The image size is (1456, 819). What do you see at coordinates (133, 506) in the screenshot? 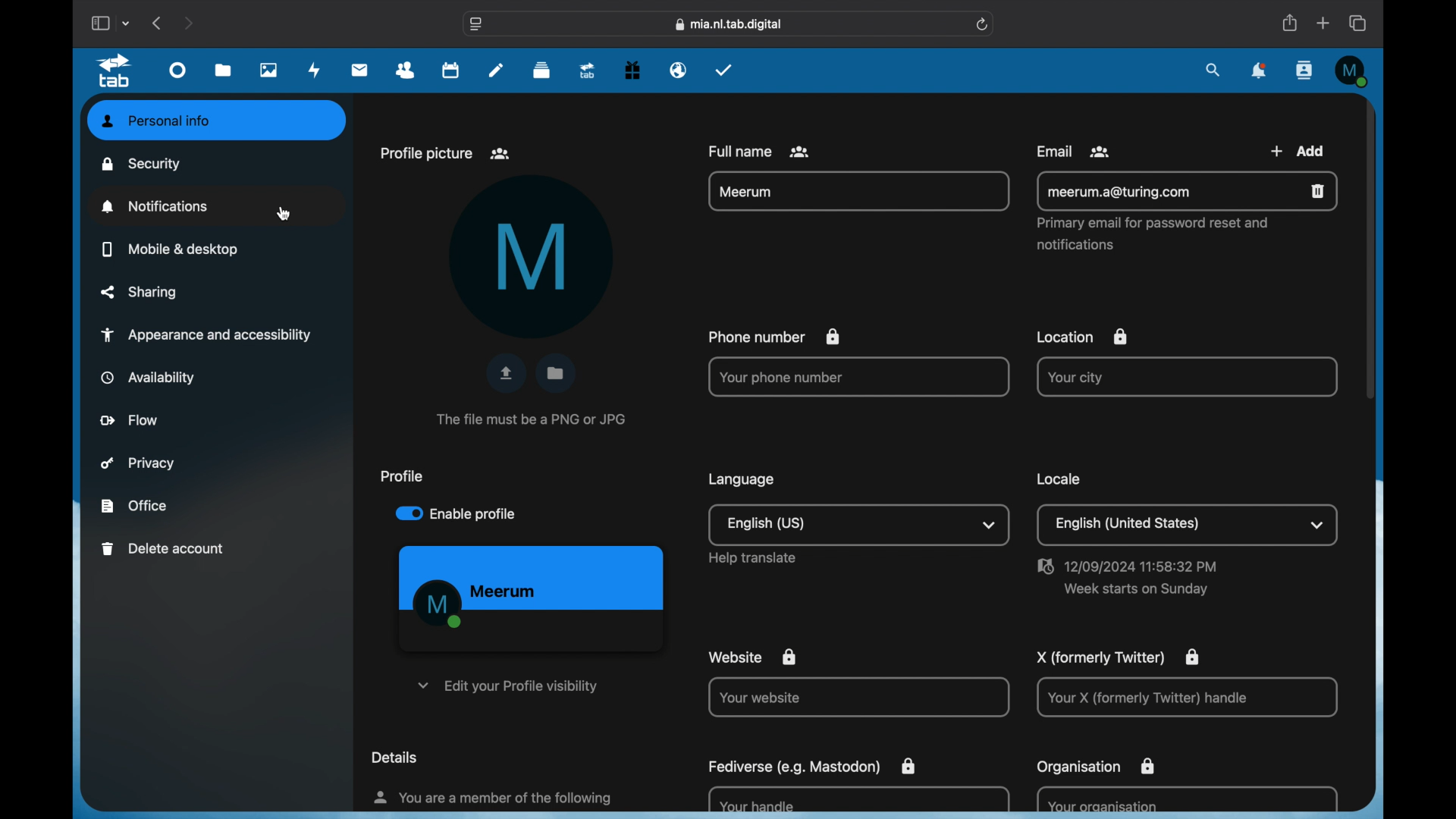
I see `office` at bounding box center [133, 506].